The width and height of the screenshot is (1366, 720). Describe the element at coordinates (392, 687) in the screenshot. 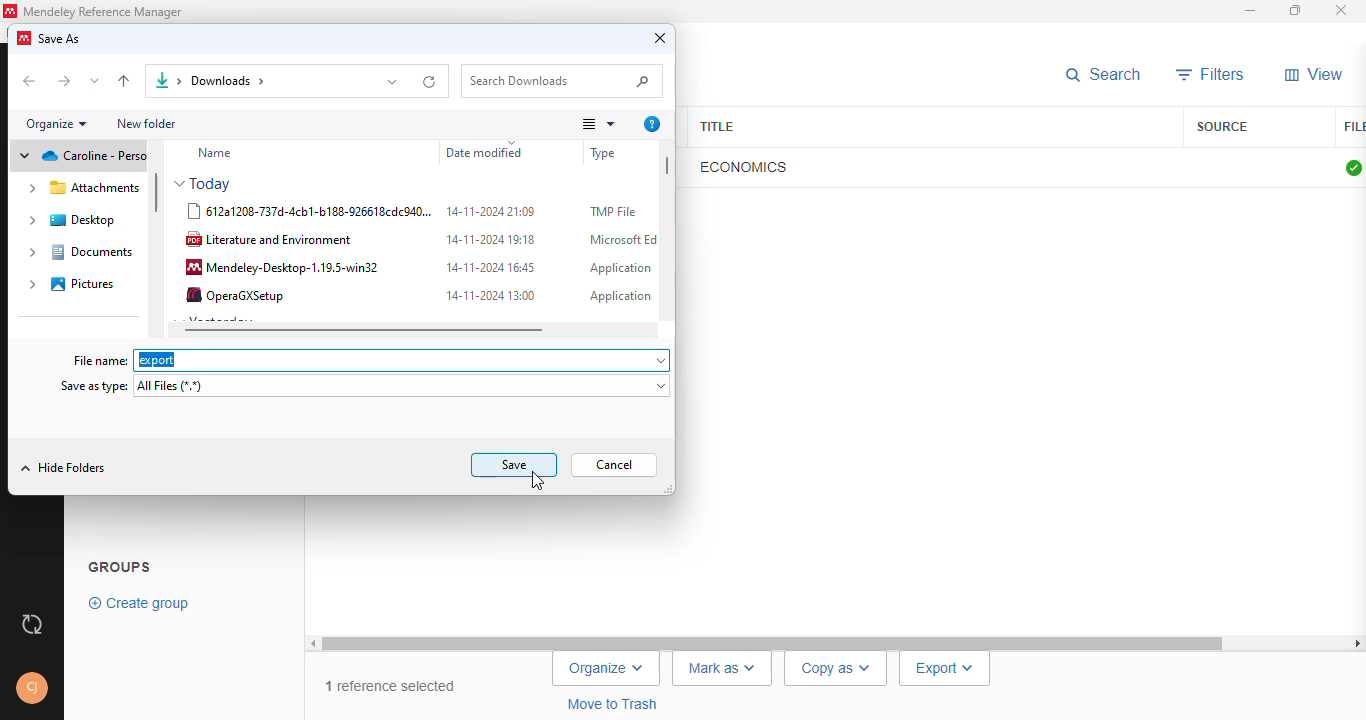

I see `1 reference selected` at that location.